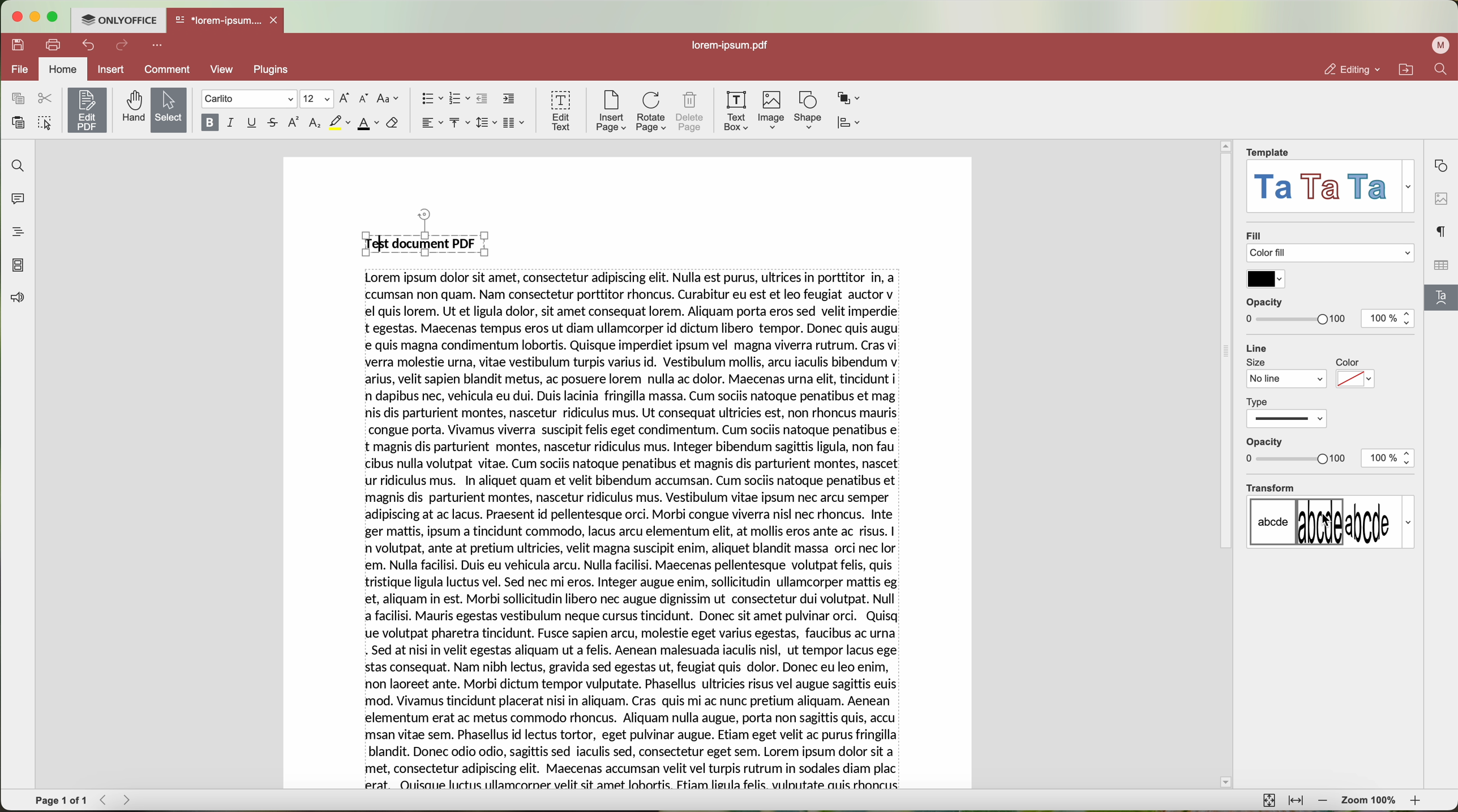  Describe the element at coordinates (1266, 279) in the screenshot. I see `color black` at that location.